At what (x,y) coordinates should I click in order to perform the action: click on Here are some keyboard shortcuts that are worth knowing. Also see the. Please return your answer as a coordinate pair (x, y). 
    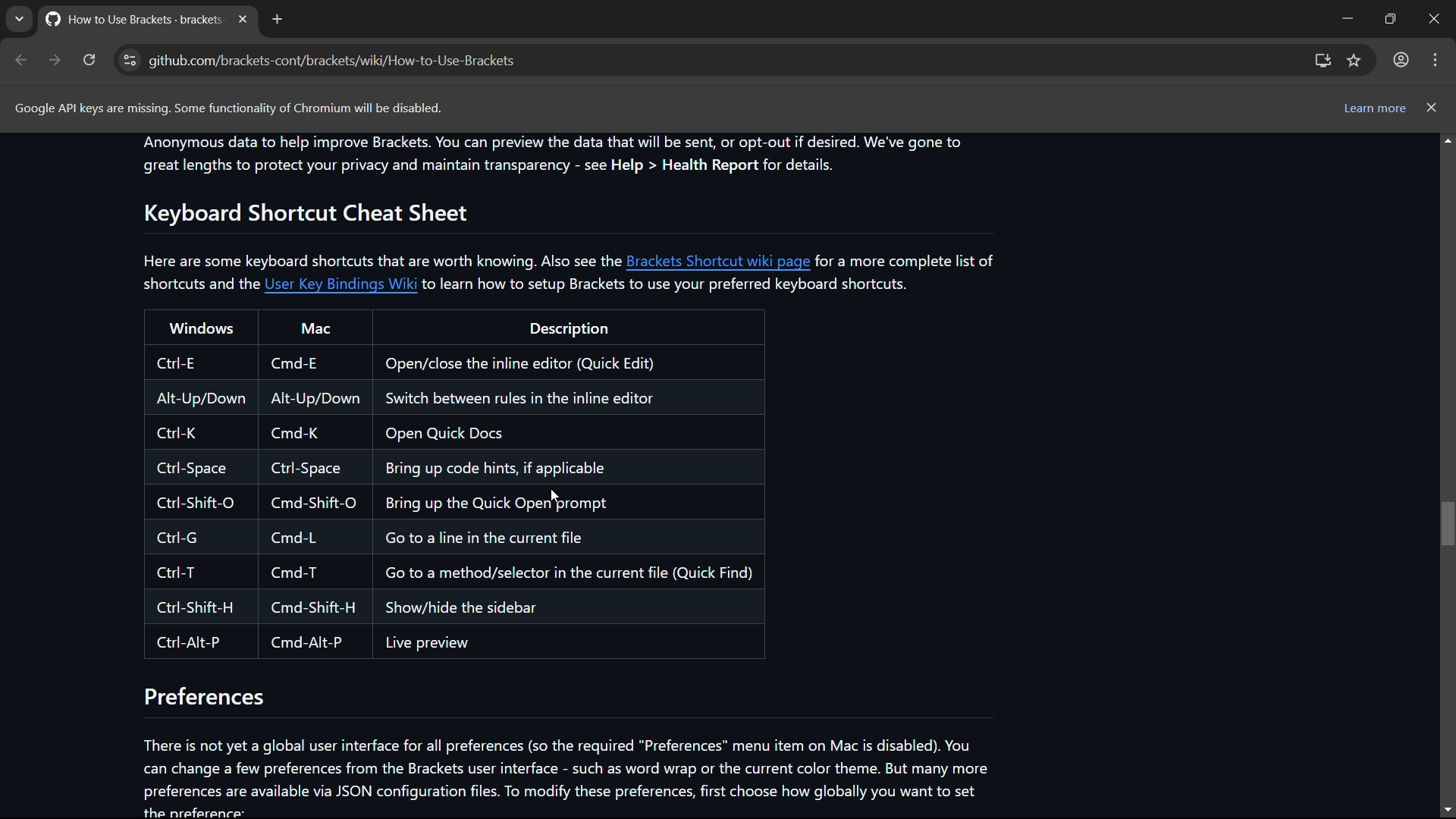
    Looking at the image, I should click on (382, 260).